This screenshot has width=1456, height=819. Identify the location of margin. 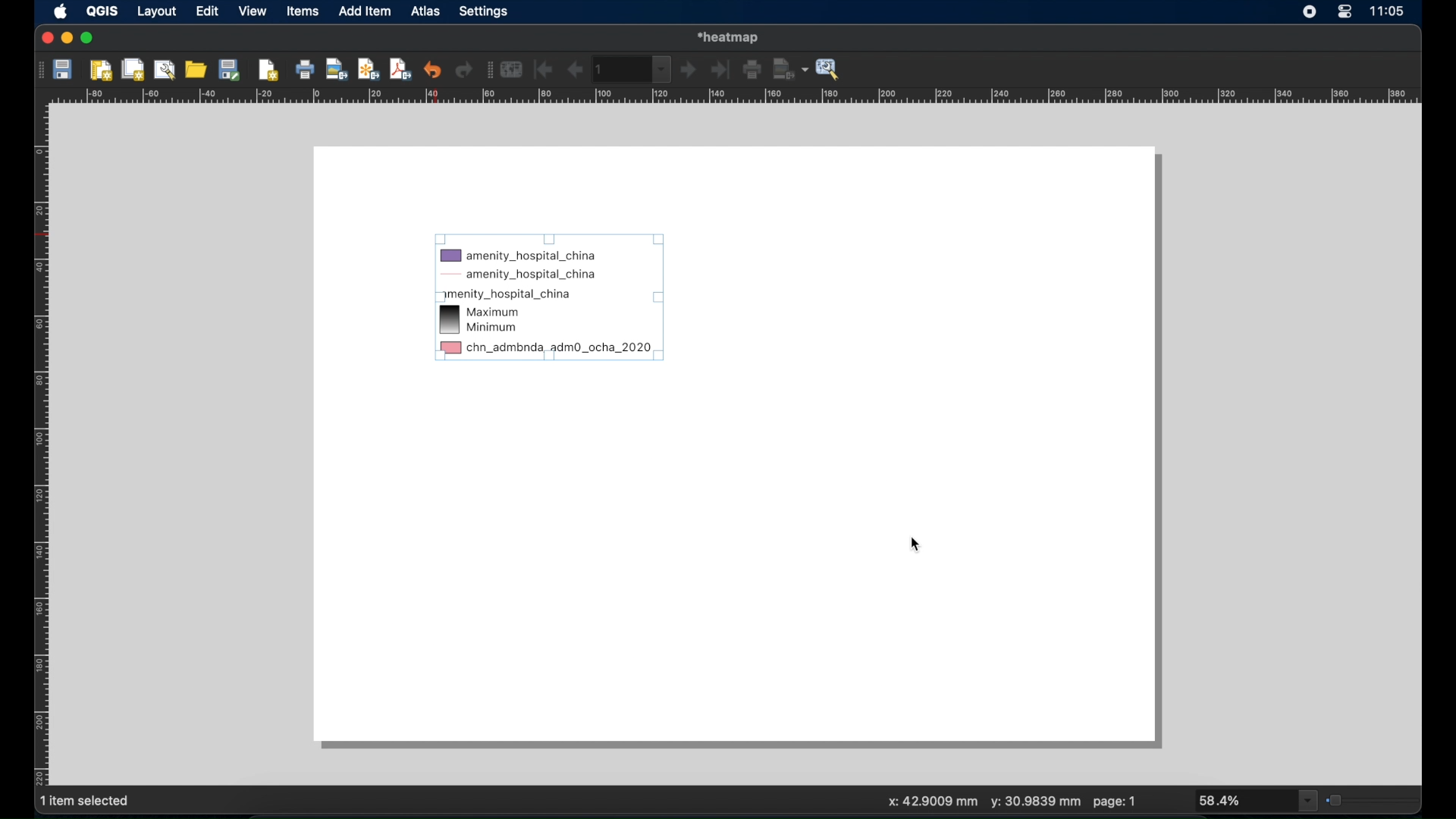
(33, 445).